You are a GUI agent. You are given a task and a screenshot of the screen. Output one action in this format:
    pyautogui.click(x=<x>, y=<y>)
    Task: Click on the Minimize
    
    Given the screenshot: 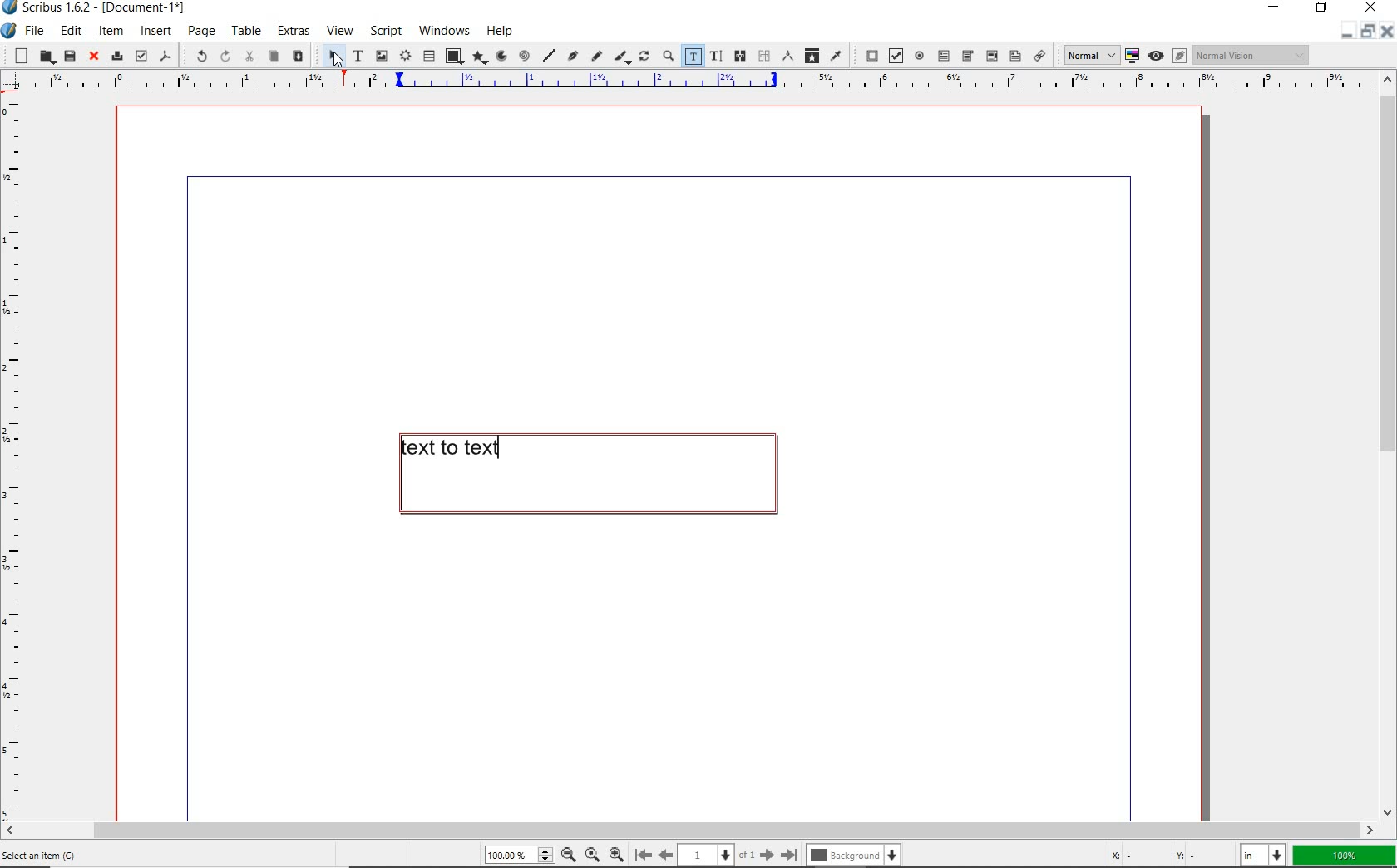 What is the action you would take?
    pyautogui.click(x=1366, y=32)
    